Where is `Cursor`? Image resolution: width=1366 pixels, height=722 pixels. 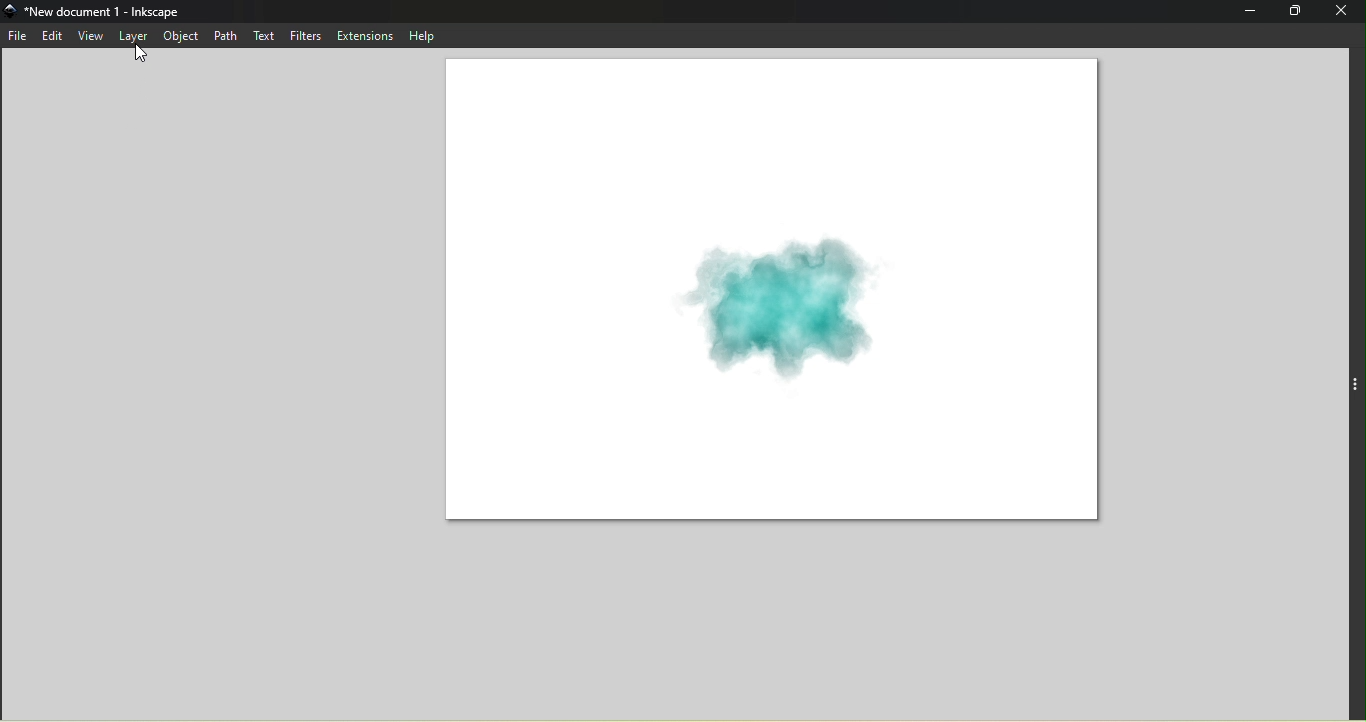 Cursor is located at coordinates (138, 55).